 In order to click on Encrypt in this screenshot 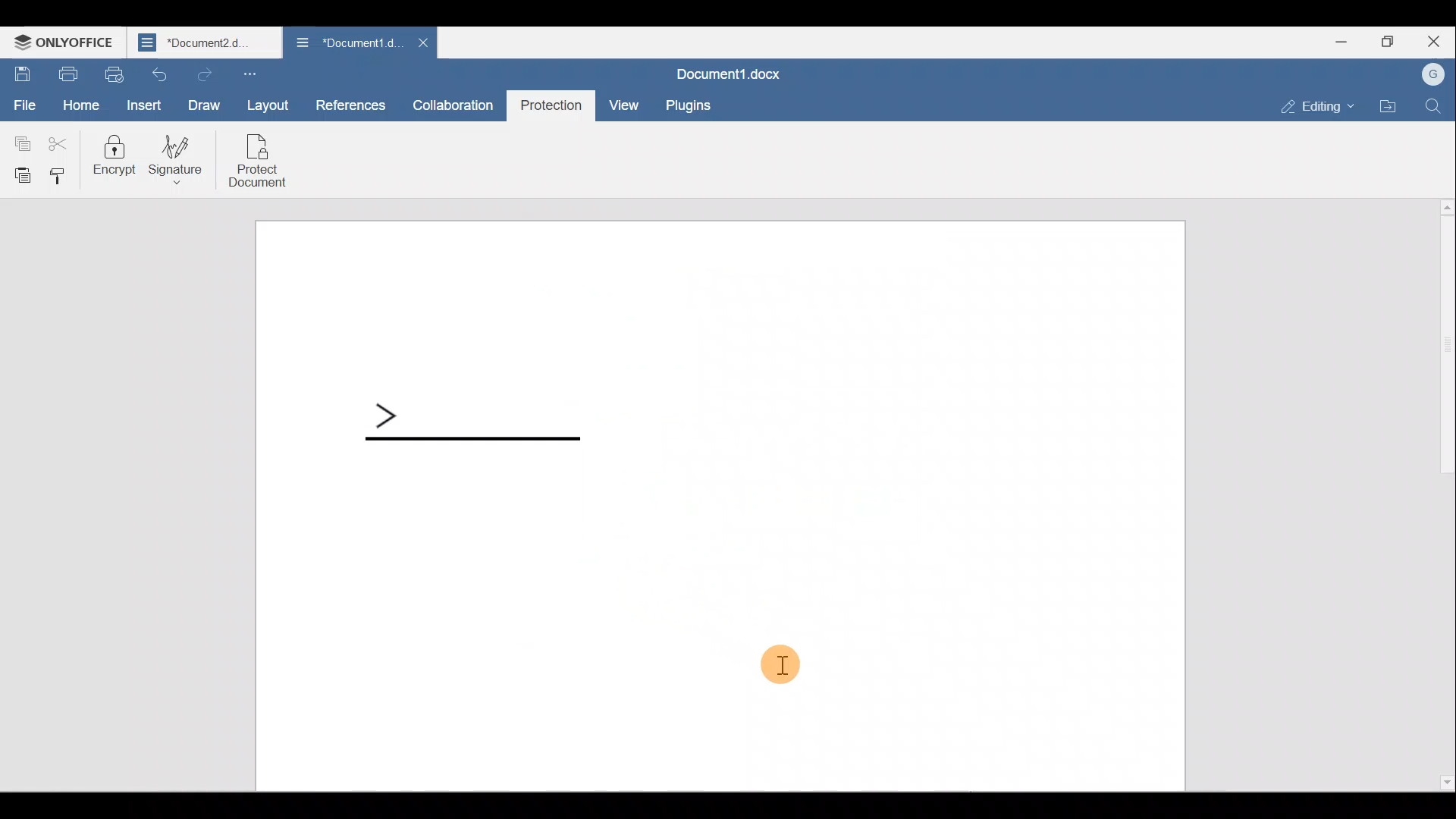, I will do `click(117, 159)`.